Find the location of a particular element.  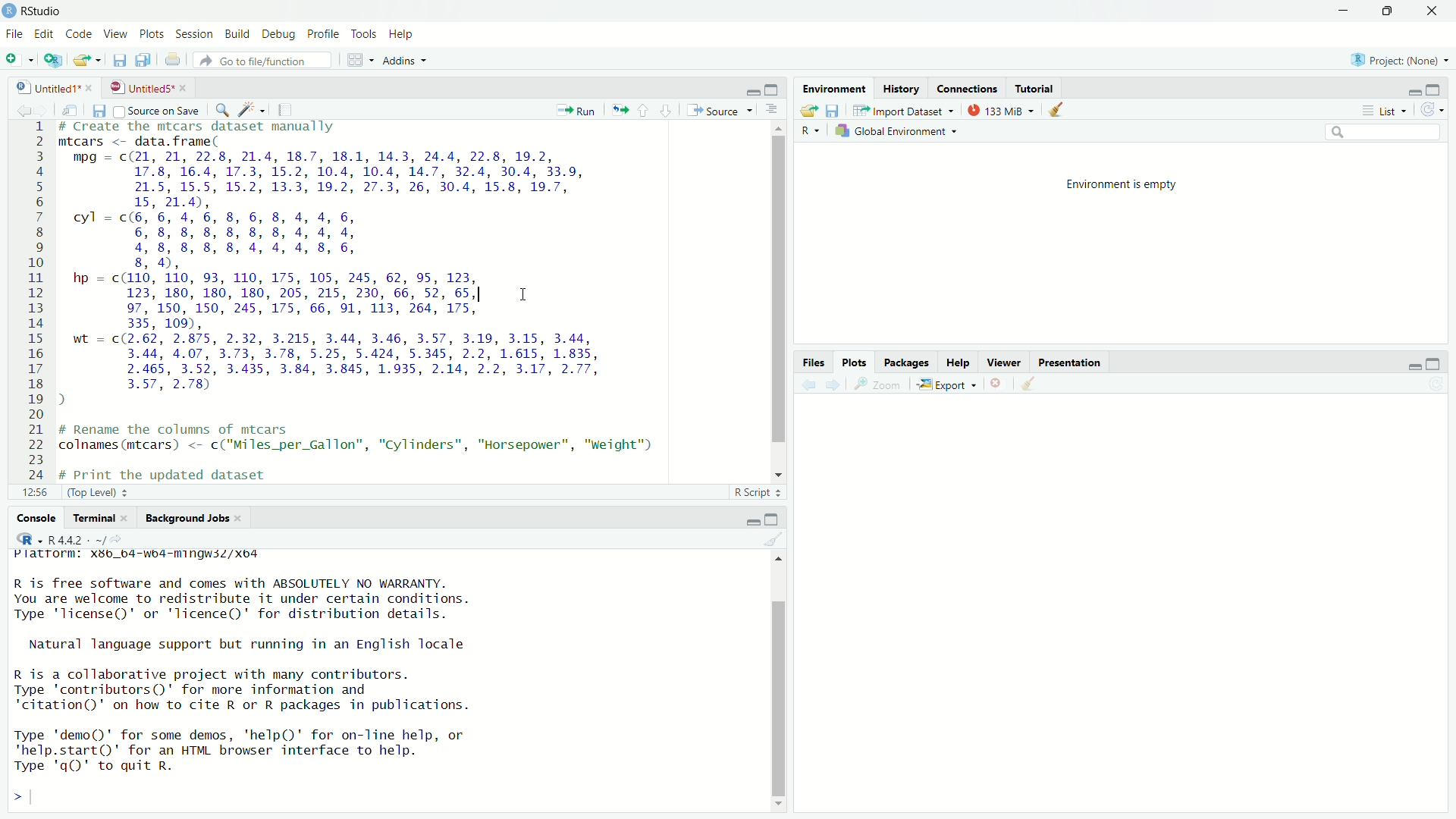

maximise is located at coordinates (771, 89).